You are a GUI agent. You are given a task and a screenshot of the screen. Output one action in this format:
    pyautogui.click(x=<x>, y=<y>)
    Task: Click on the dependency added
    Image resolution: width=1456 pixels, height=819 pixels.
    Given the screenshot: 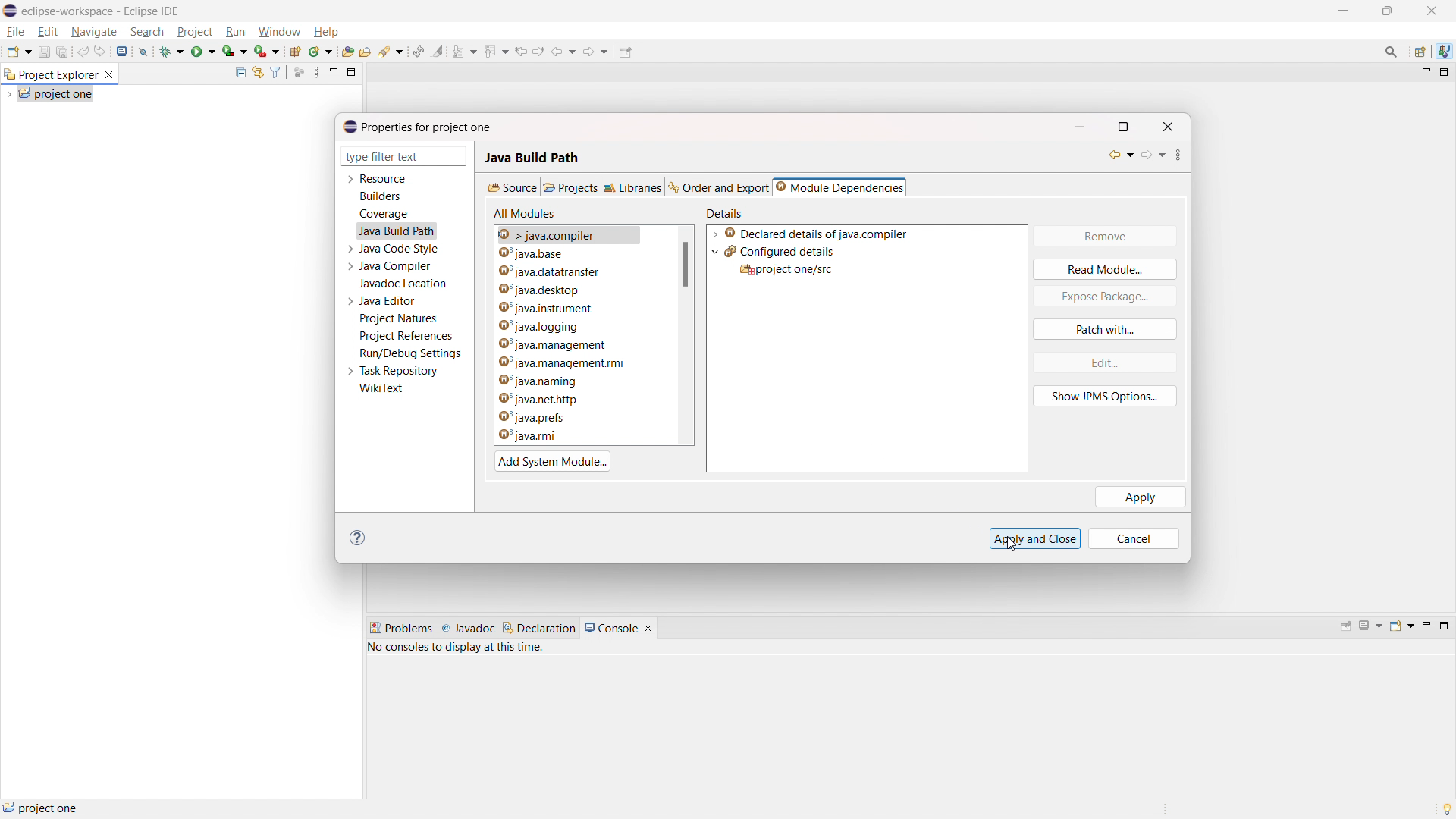 What is the action you would take?
    pyautogui.click(x=786, y=269)
    